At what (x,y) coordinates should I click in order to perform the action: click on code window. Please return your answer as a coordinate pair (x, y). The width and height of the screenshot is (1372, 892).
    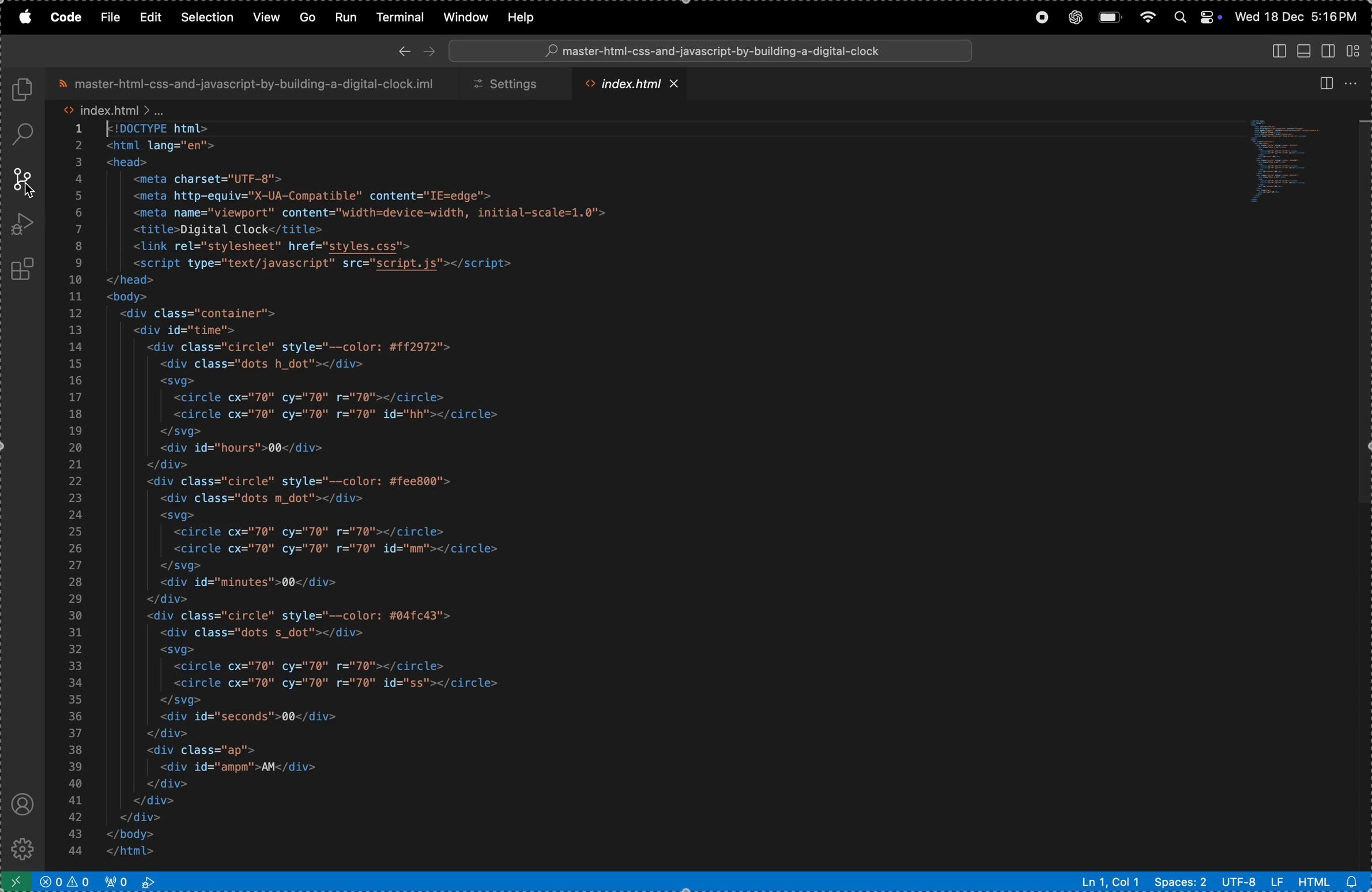
    Looking at the image, I should click on (1292, 158).